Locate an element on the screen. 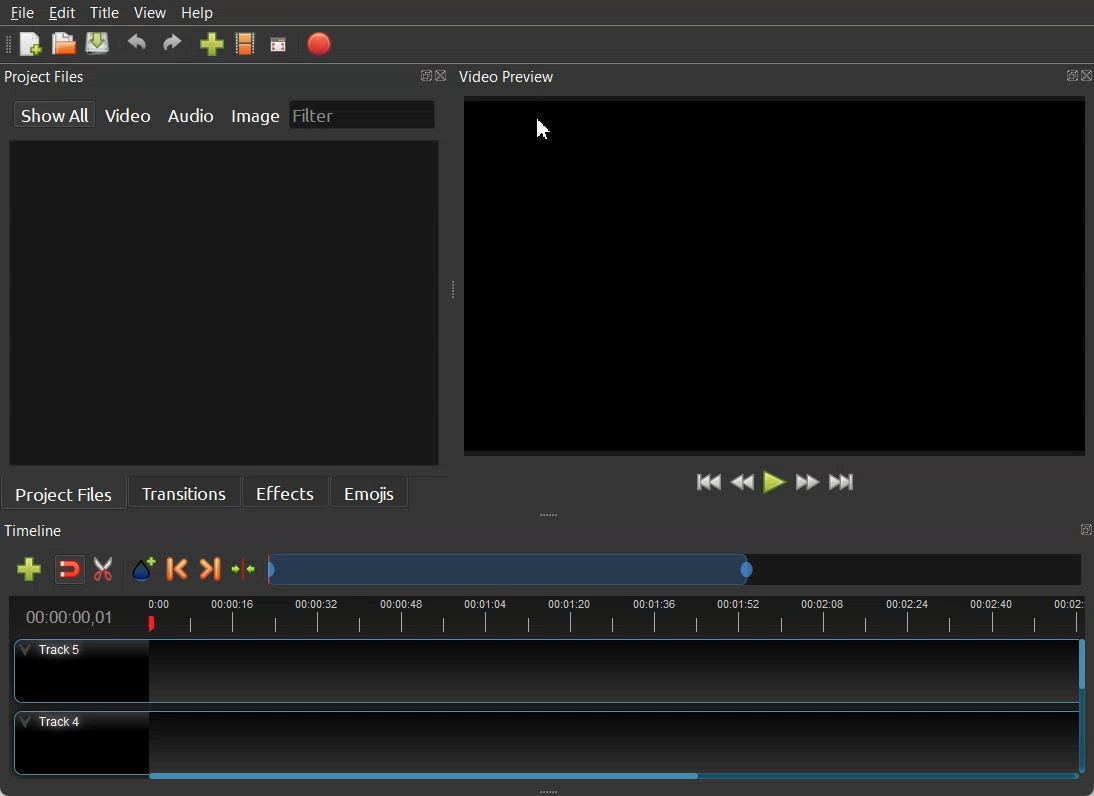 The height and width of the screenshot is (796, 1094). Rewind is located at coordinates (743, 481).